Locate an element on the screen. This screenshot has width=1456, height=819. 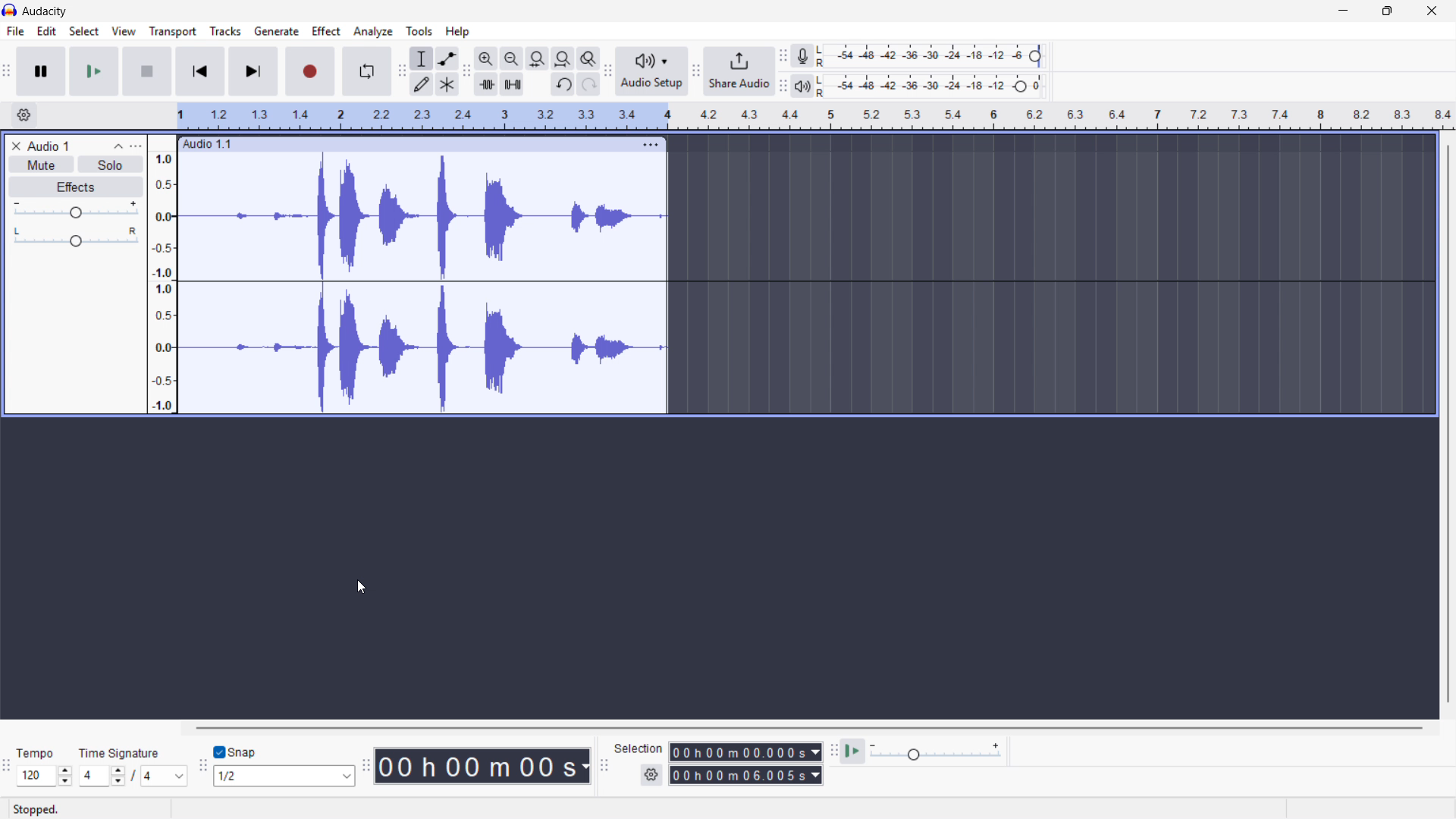
Skip to start  is located at coordinates (199, 71).